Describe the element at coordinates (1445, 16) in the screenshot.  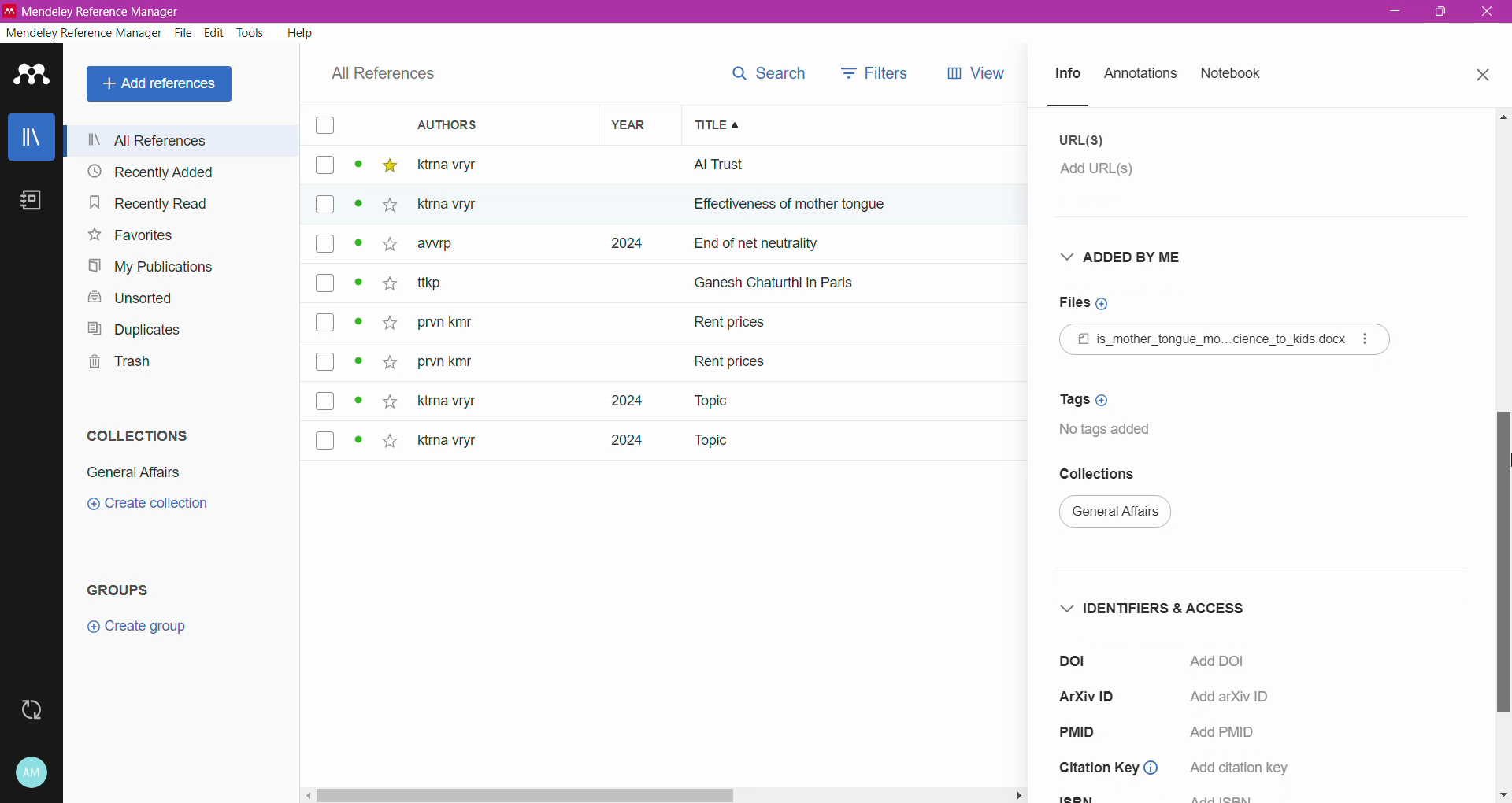
I see `maximize ` at that location.